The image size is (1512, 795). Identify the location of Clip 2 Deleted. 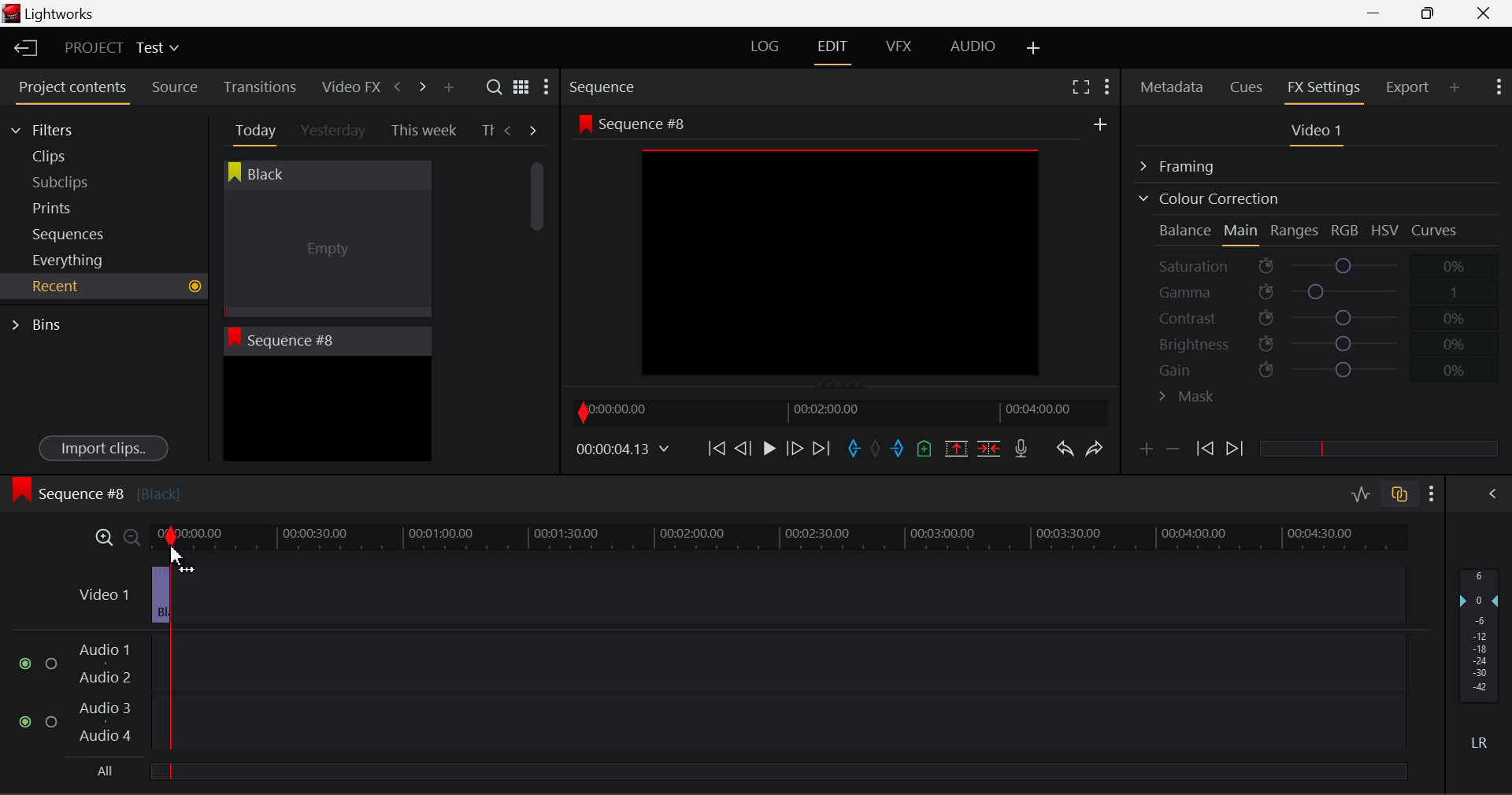
(728, 596).